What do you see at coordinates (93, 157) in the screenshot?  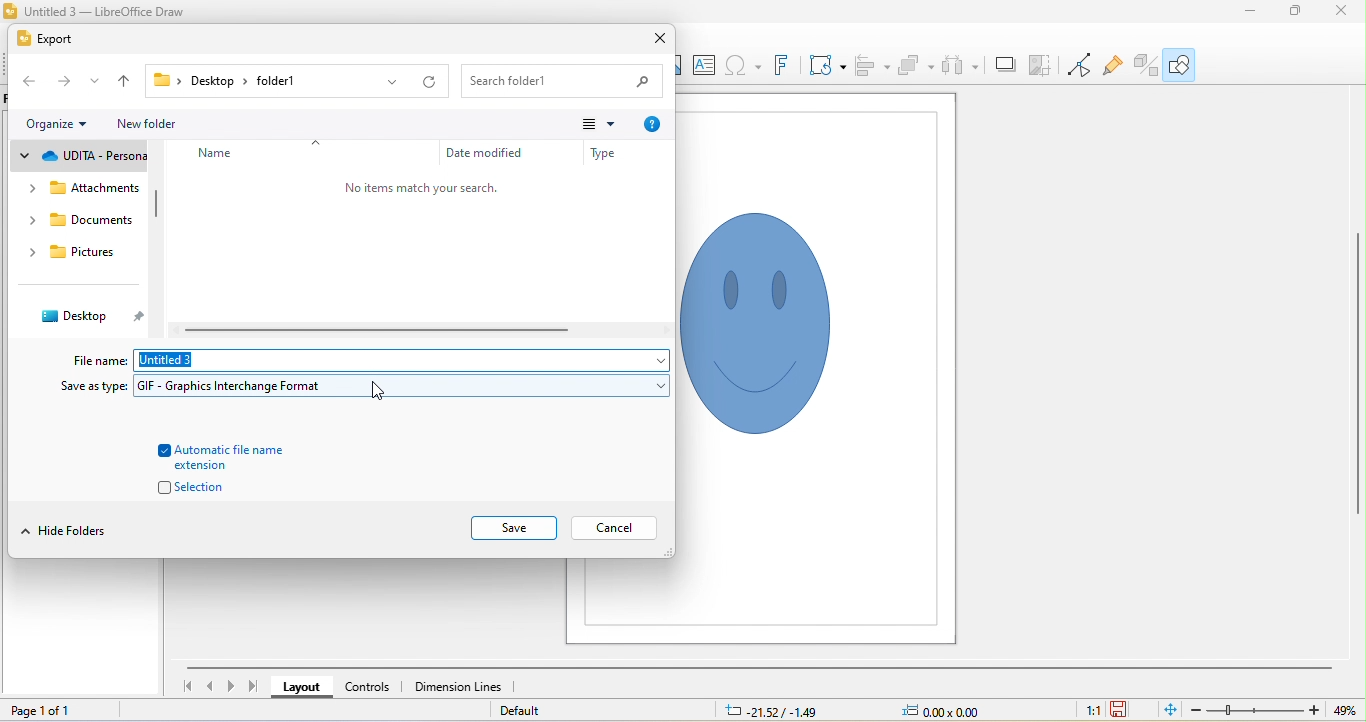 I see `udita personal` at bounding box center [93, 157].